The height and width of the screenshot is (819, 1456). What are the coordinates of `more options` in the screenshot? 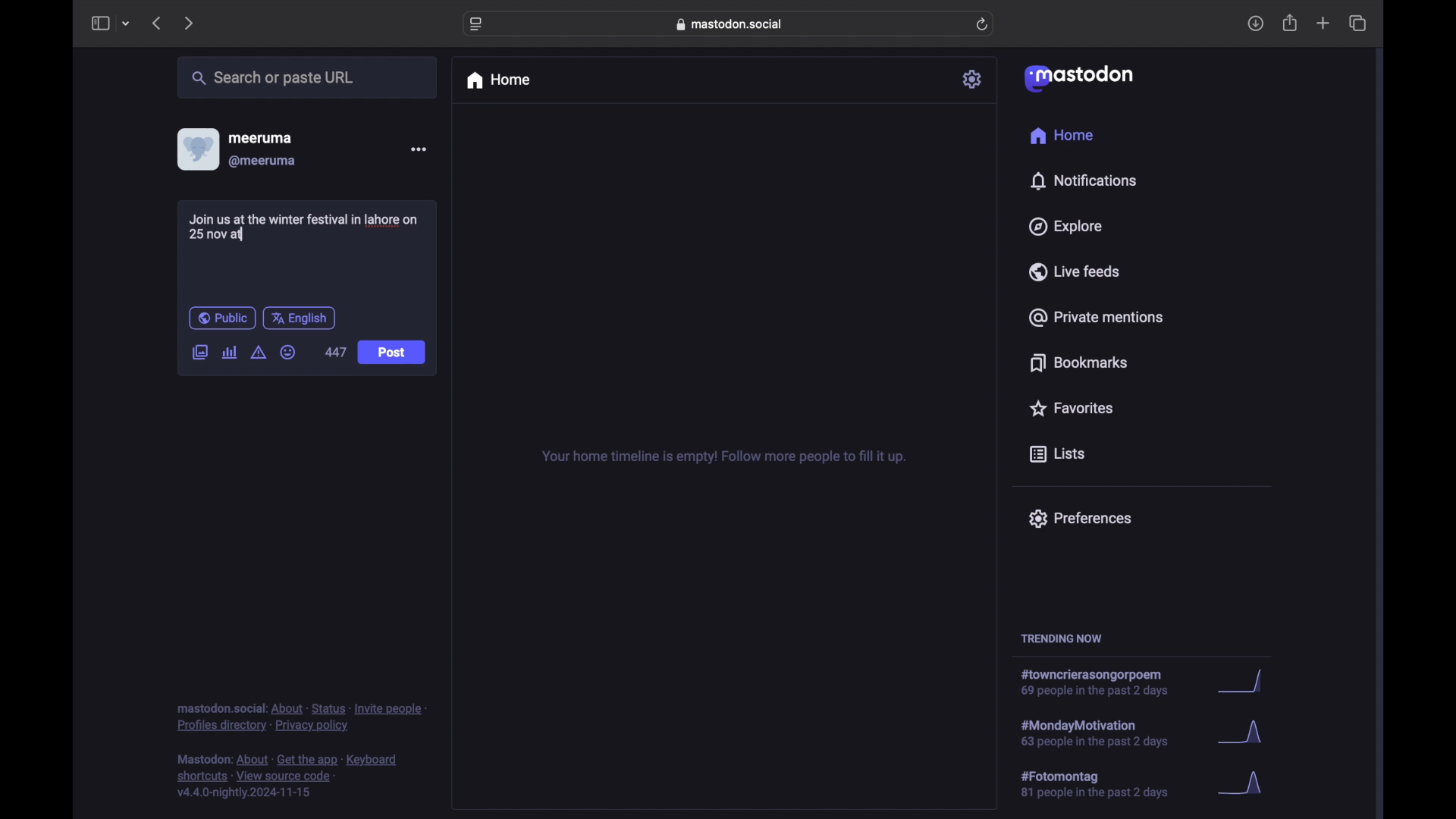 It's located at (419, 149).